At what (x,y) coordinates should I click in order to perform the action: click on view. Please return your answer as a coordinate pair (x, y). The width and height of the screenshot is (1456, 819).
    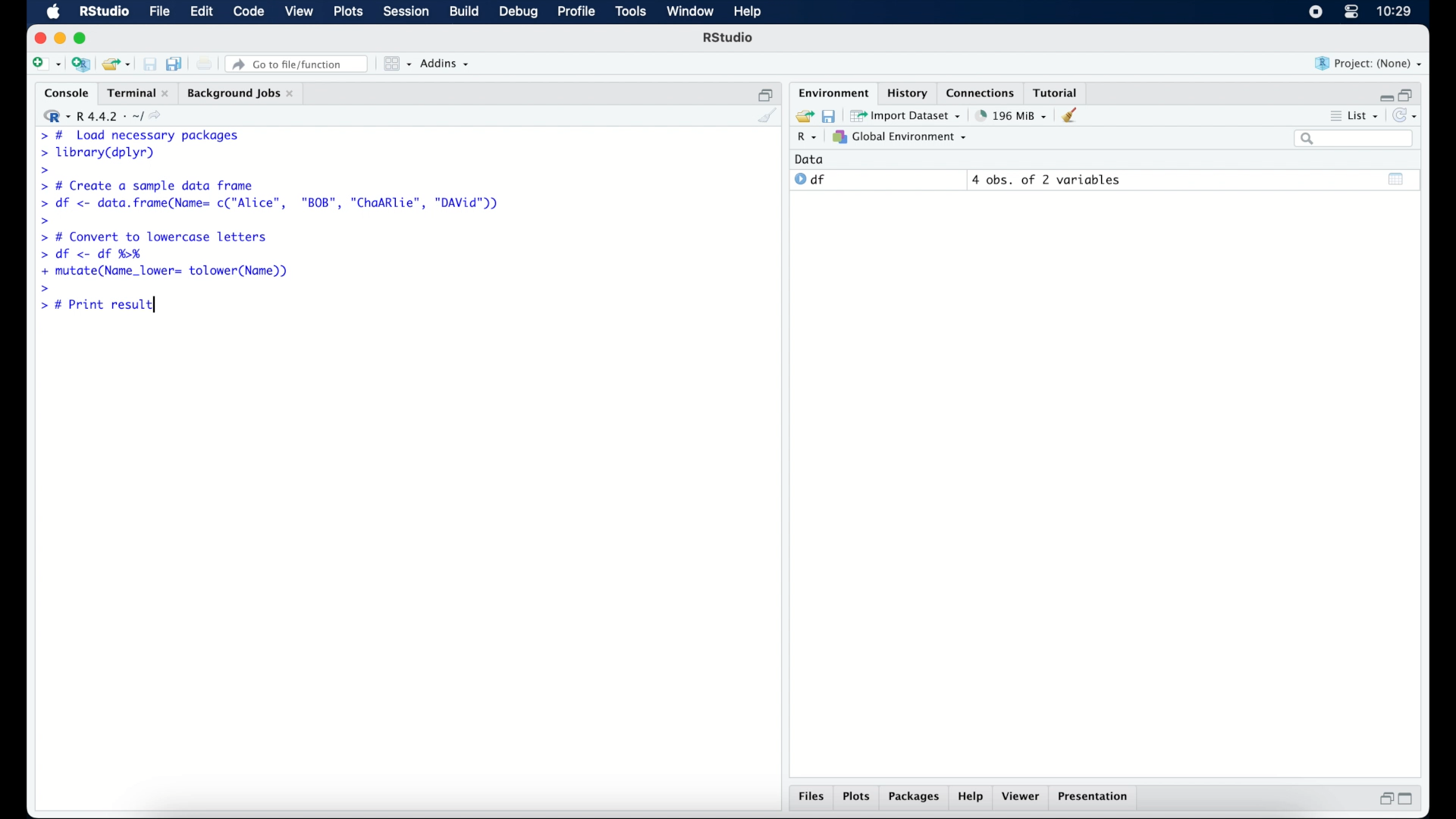
    Looking at the image, I should click on (300, 13).